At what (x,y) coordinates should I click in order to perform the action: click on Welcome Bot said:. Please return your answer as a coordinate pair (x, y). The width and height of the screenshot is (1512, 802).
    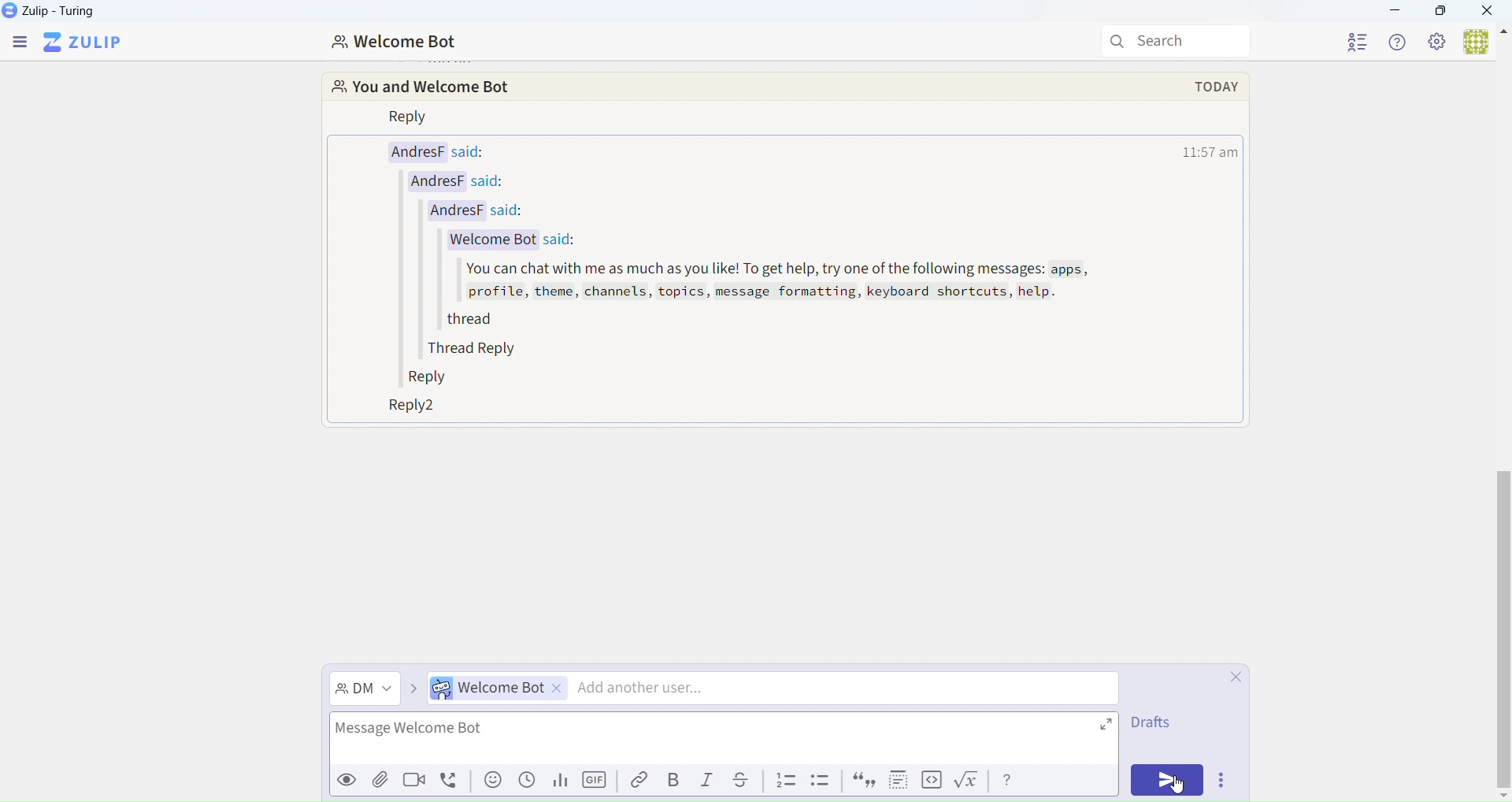
    Looking at the image, I should click on (510, 239).